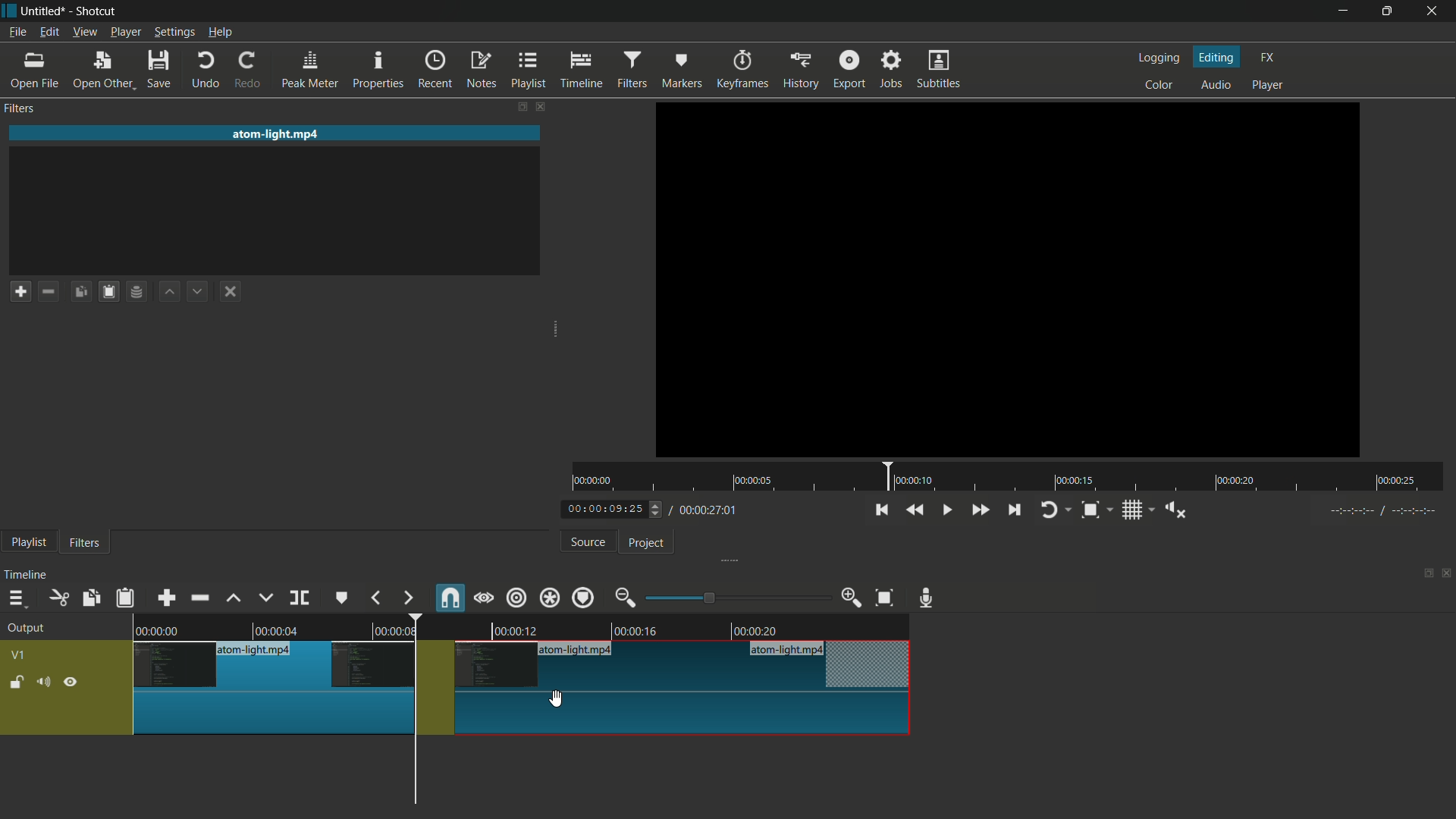  Describe the element at coordinates (481, 71) in the screenshot. I see `notes` at that location.